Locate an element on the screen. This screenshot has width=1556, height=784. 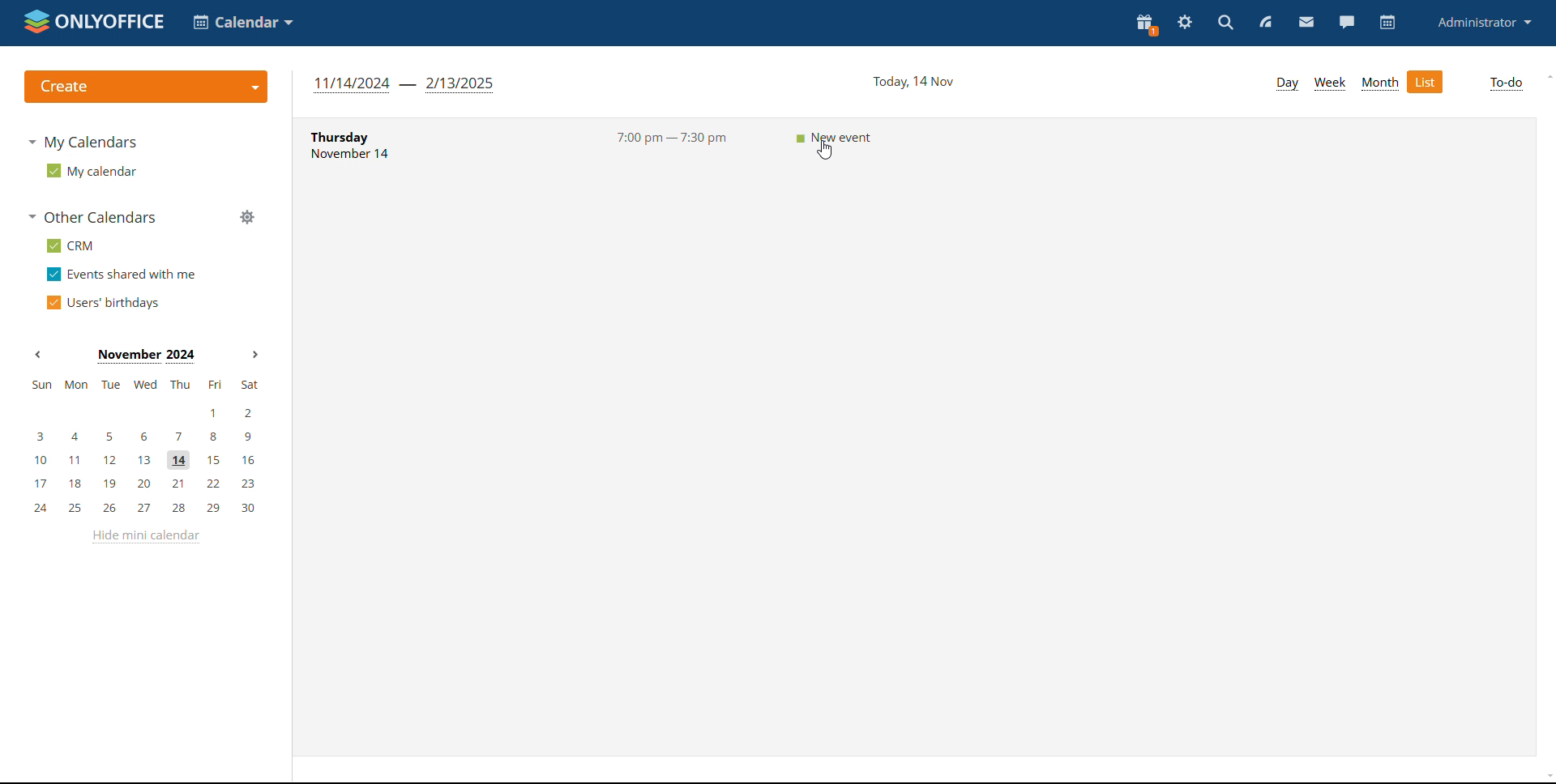
profile is located at coordinates (1485, 22).